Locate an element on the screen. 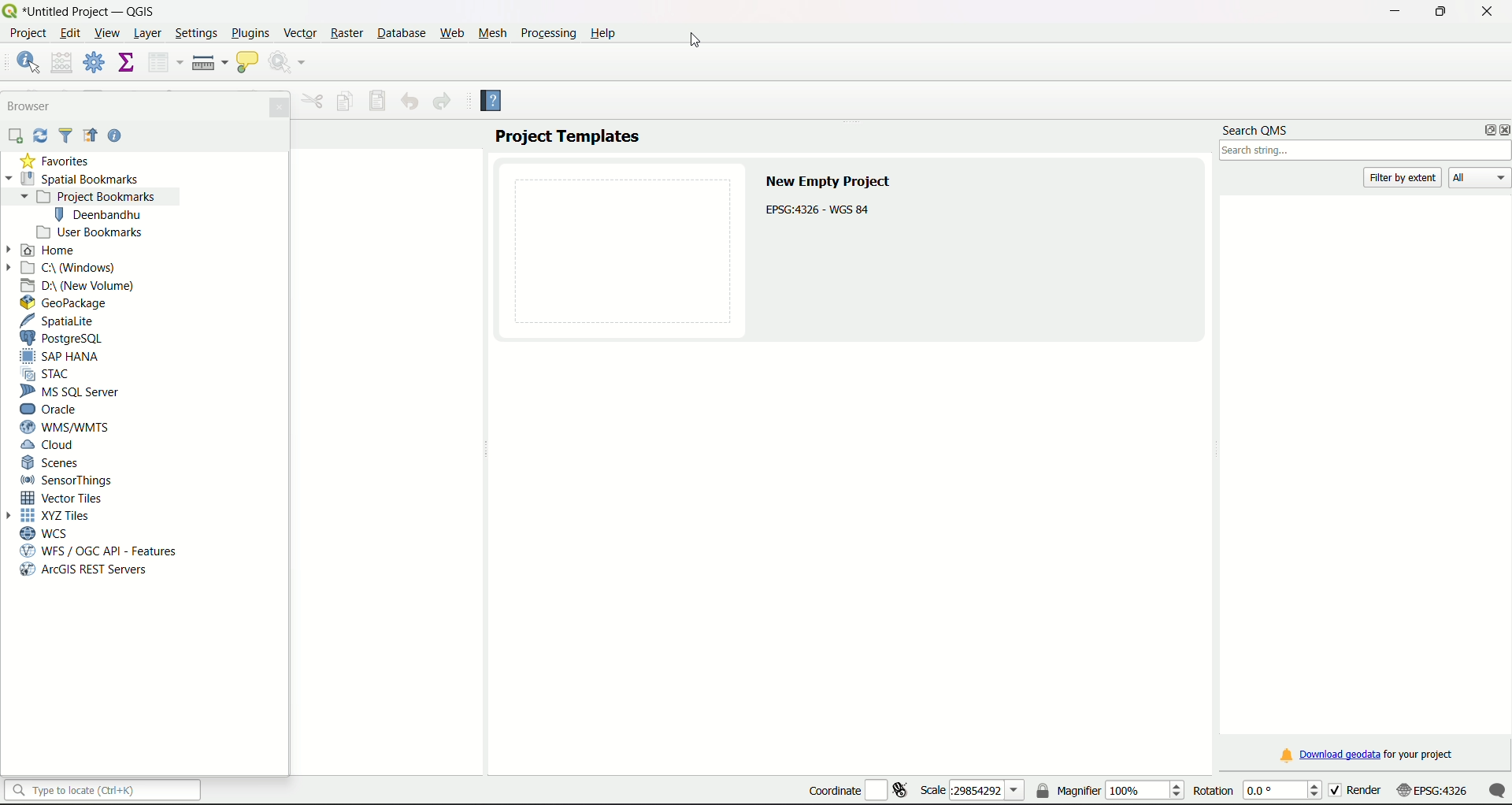 This screenshot has width=1512, height=805. Text is located at coordinates (836, 196).